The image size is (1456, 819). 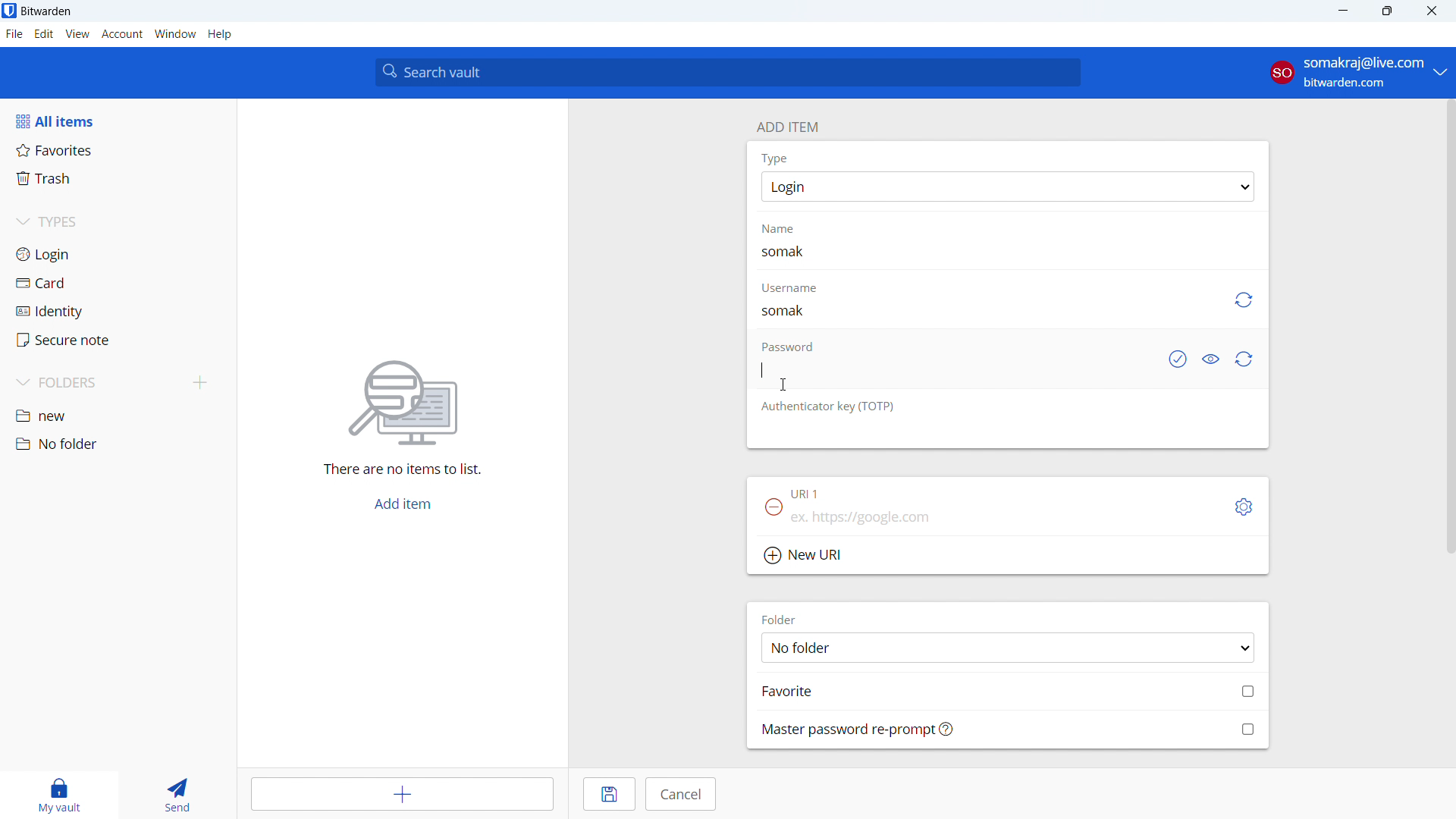 What do you see at coordinates (117, 179) in the screenshot?
I see `trash` at bounding box center [117, 179].